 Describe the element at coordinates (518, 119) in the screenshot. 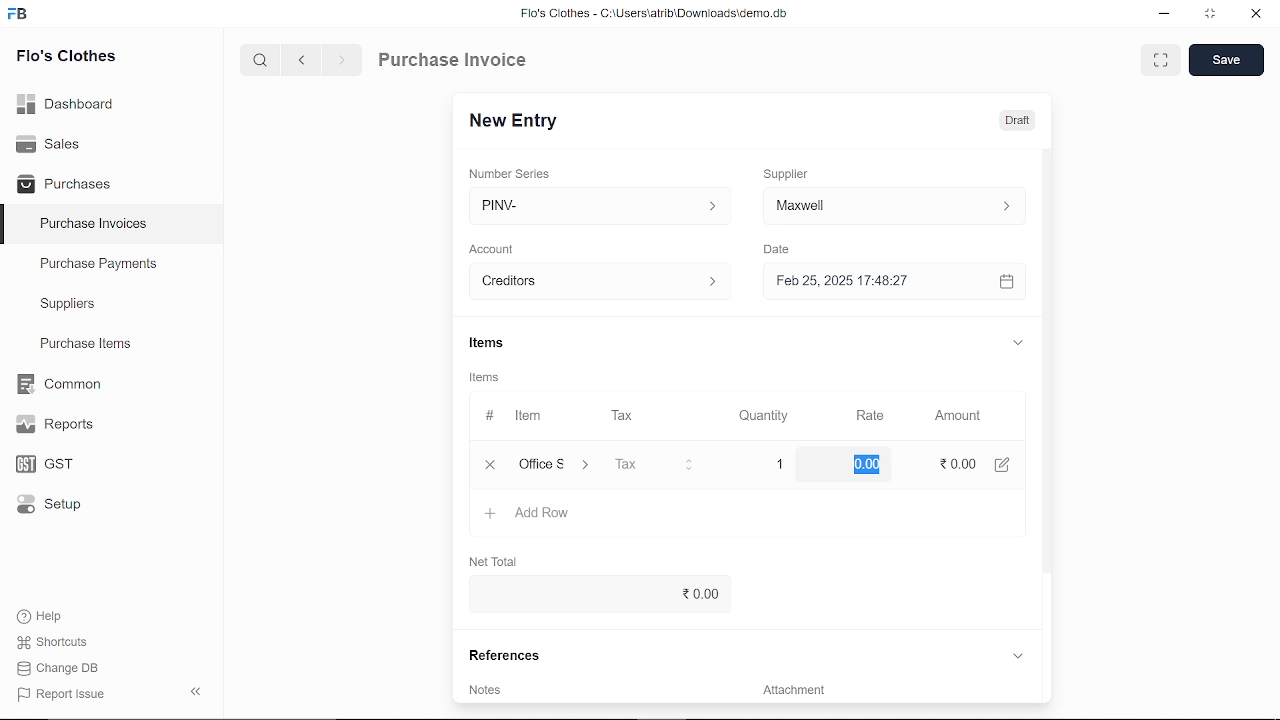

I see `New Entry` at that location.